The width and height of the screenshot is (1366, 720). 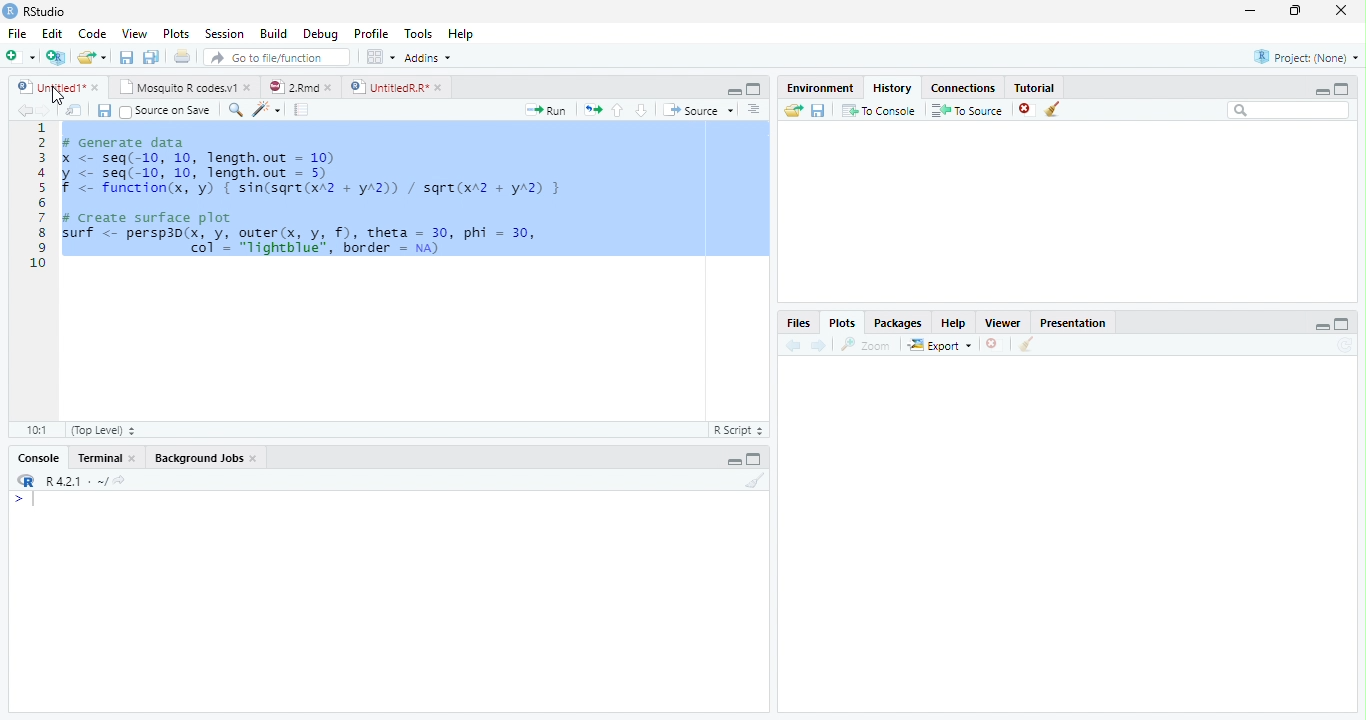 I want to click on restore, so click(x=1295, y=10).